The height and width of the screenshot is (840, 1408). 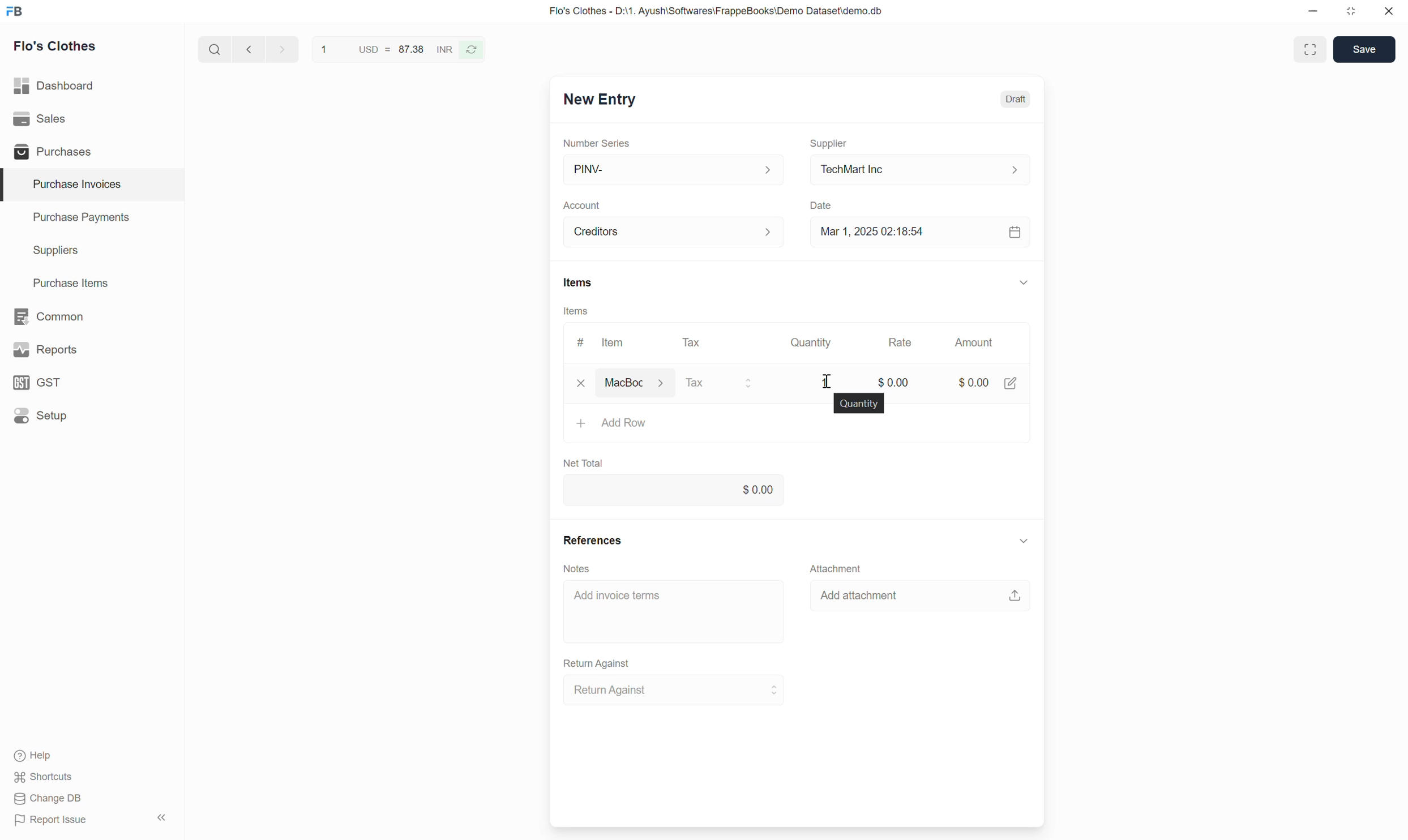 I want to click on References, so click(x=593, y=540).